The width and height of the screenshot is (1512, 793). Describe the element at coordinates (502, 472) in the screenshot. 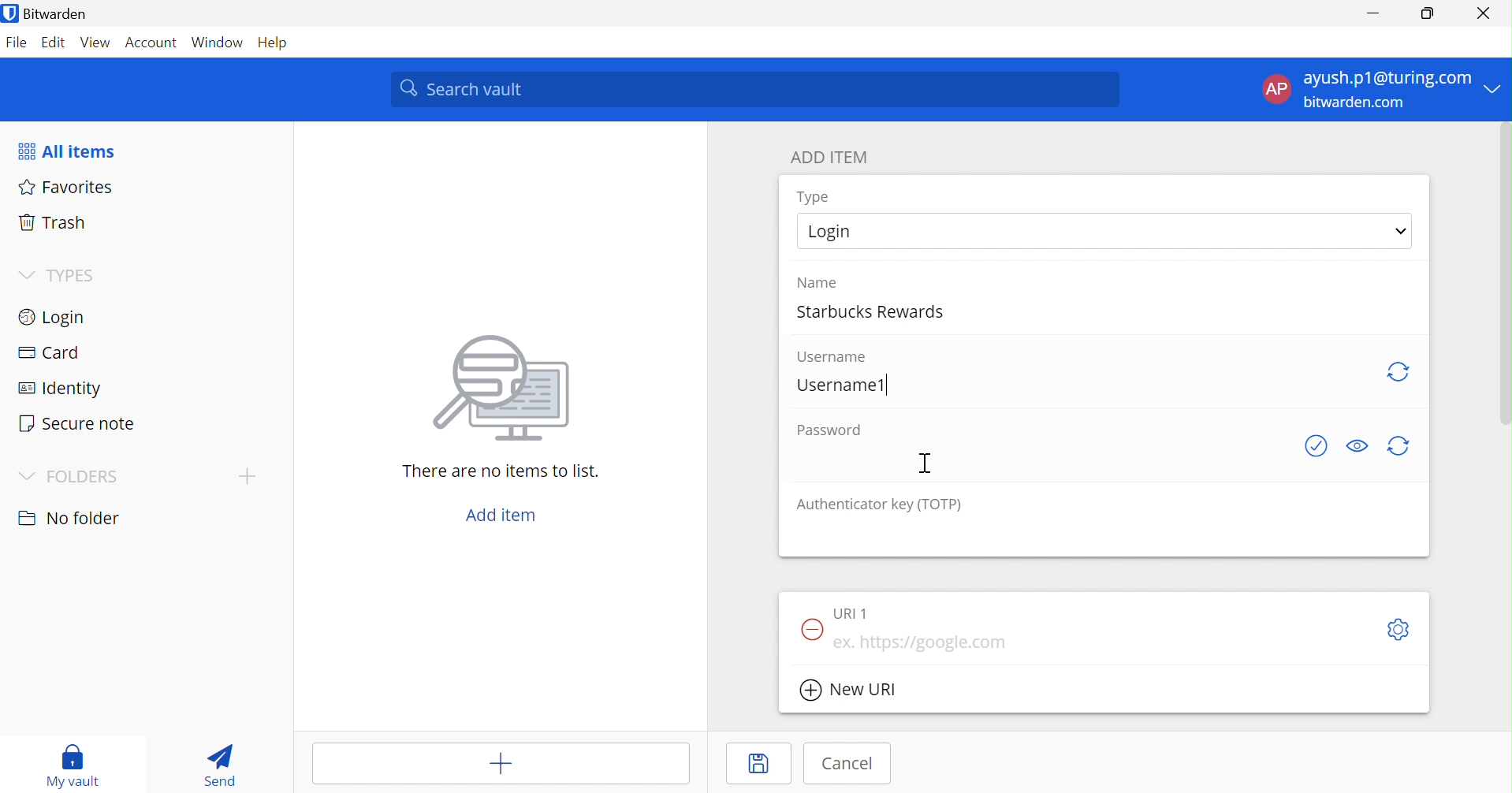

I see `There are no items to list.` at that location.